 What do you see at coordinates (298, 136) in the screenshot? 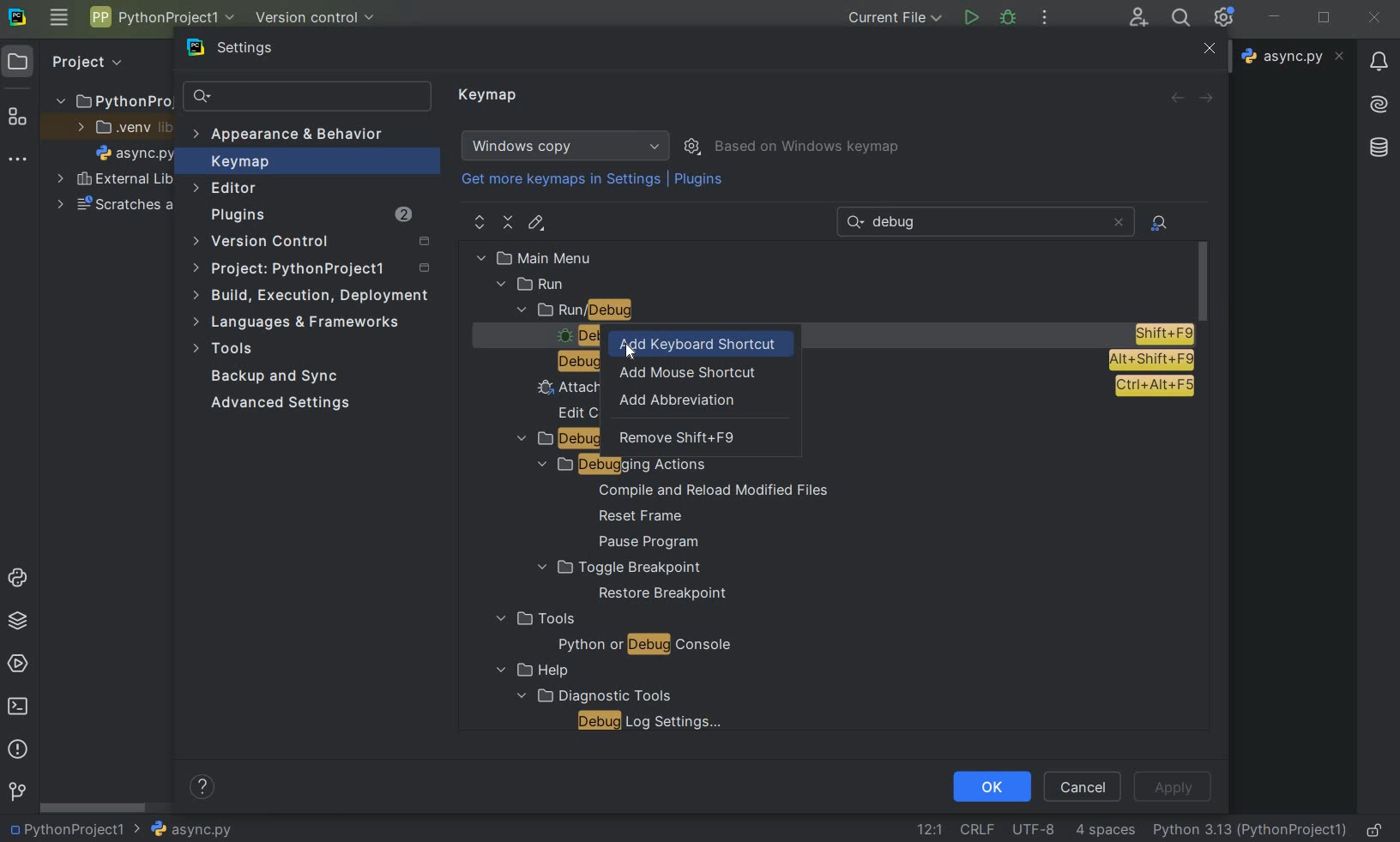
I see `appearance & behavior` at bounding box center [298, 136].